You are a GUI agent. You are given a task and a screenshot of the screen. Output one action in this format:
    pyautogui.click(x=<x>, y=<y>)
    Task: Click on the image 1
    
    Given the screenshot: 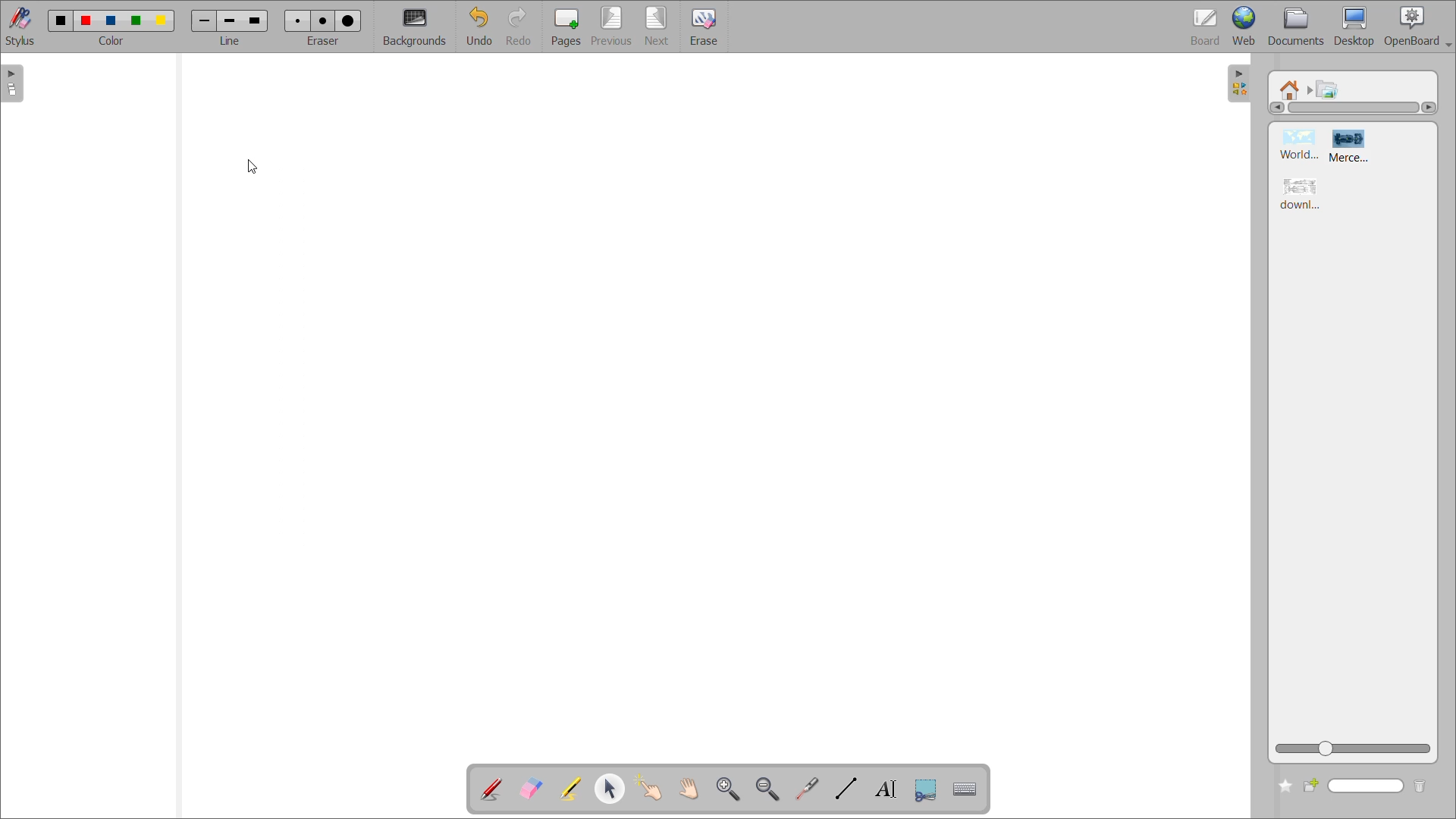 What is the action you would take?
    pyautogui.click(x=1301, y=144)
    